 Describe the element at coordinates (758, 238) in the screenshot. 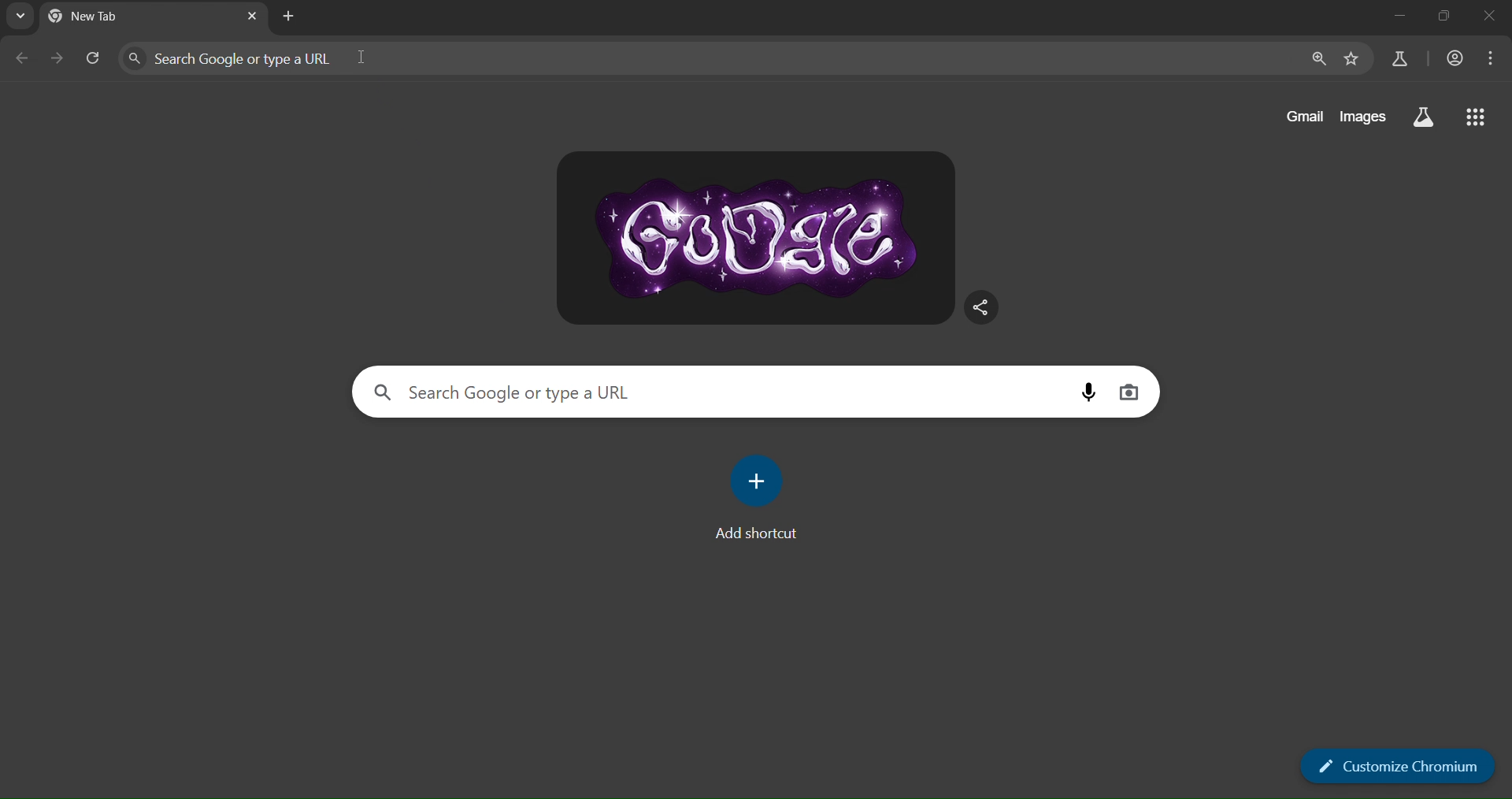

I see `google` at that location.